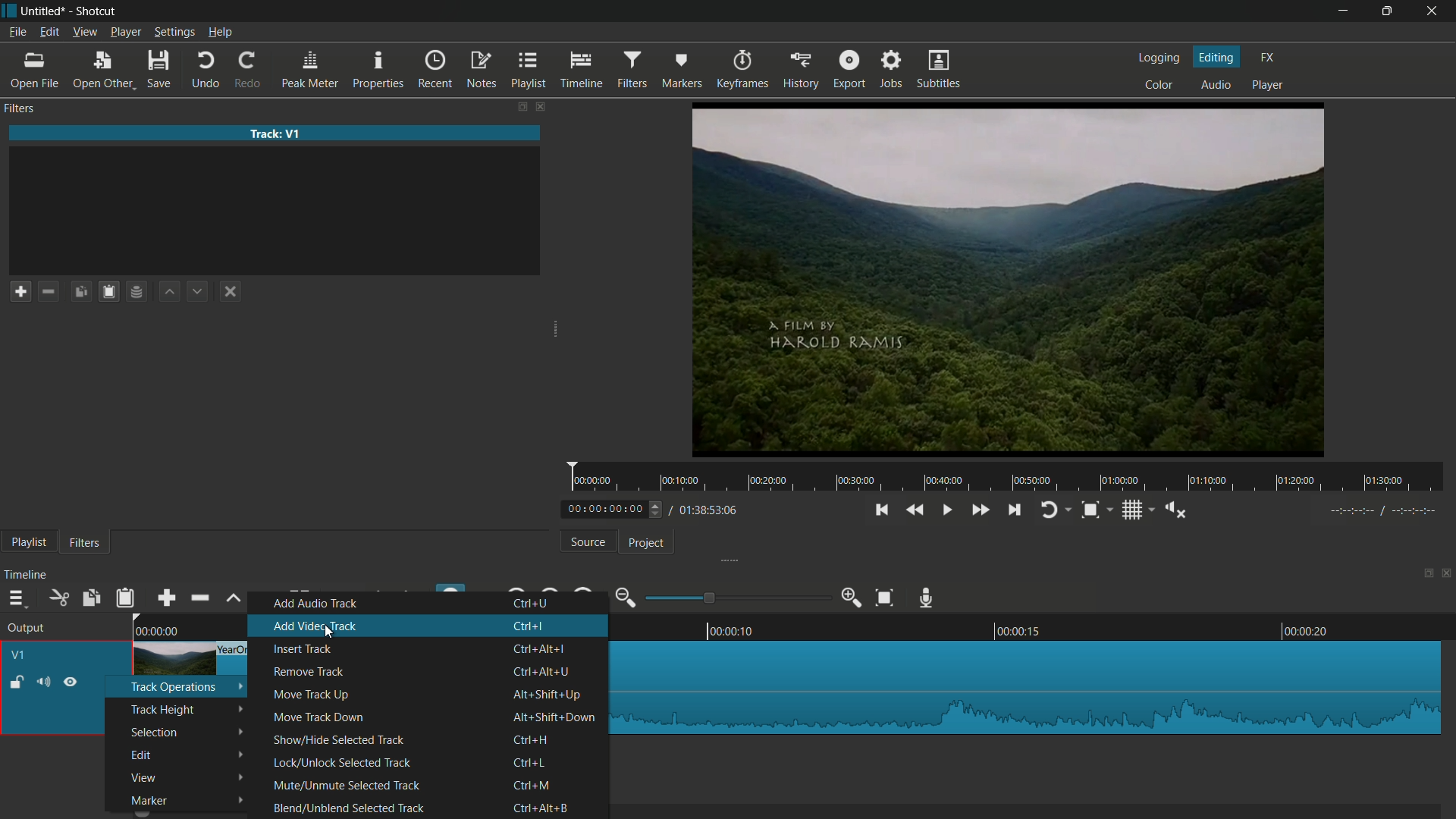 This screenshot has width=1456, height=819. I want to click on zoom out, so click(624, 598).